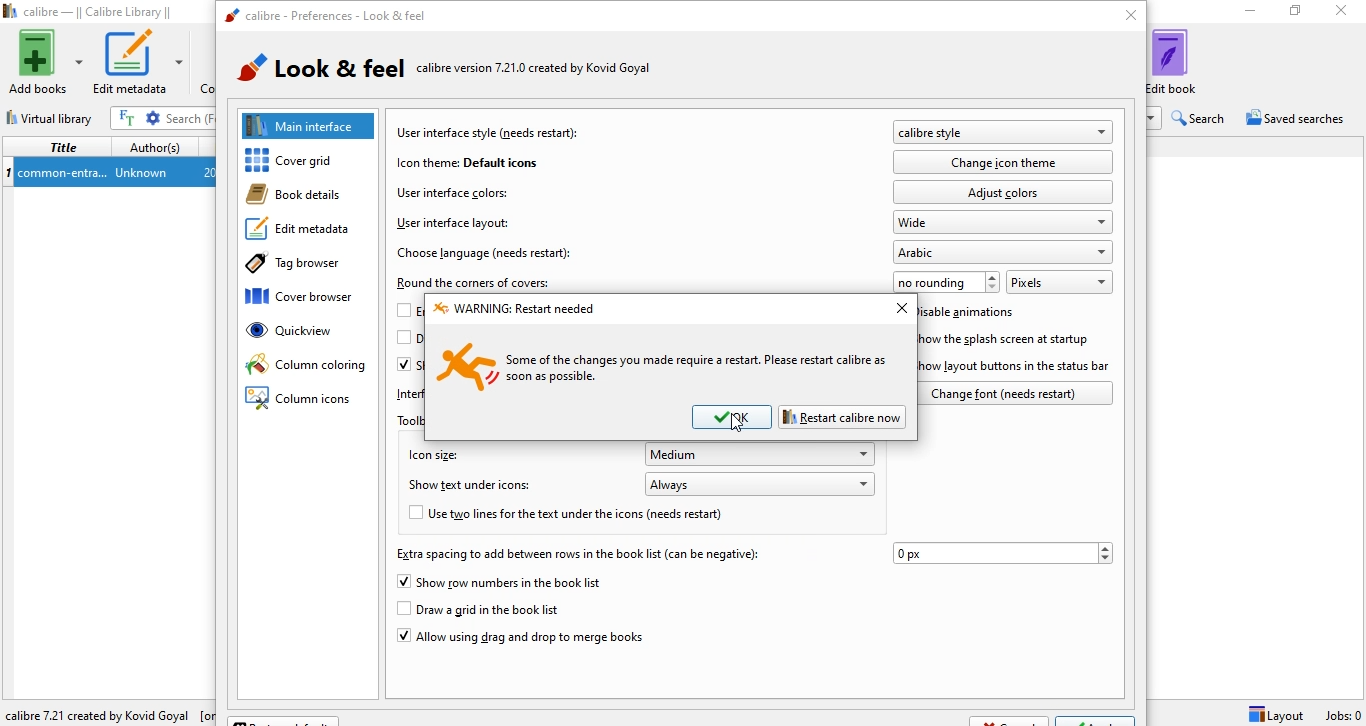  I want to click on adjust colors, so click(1003, 191).